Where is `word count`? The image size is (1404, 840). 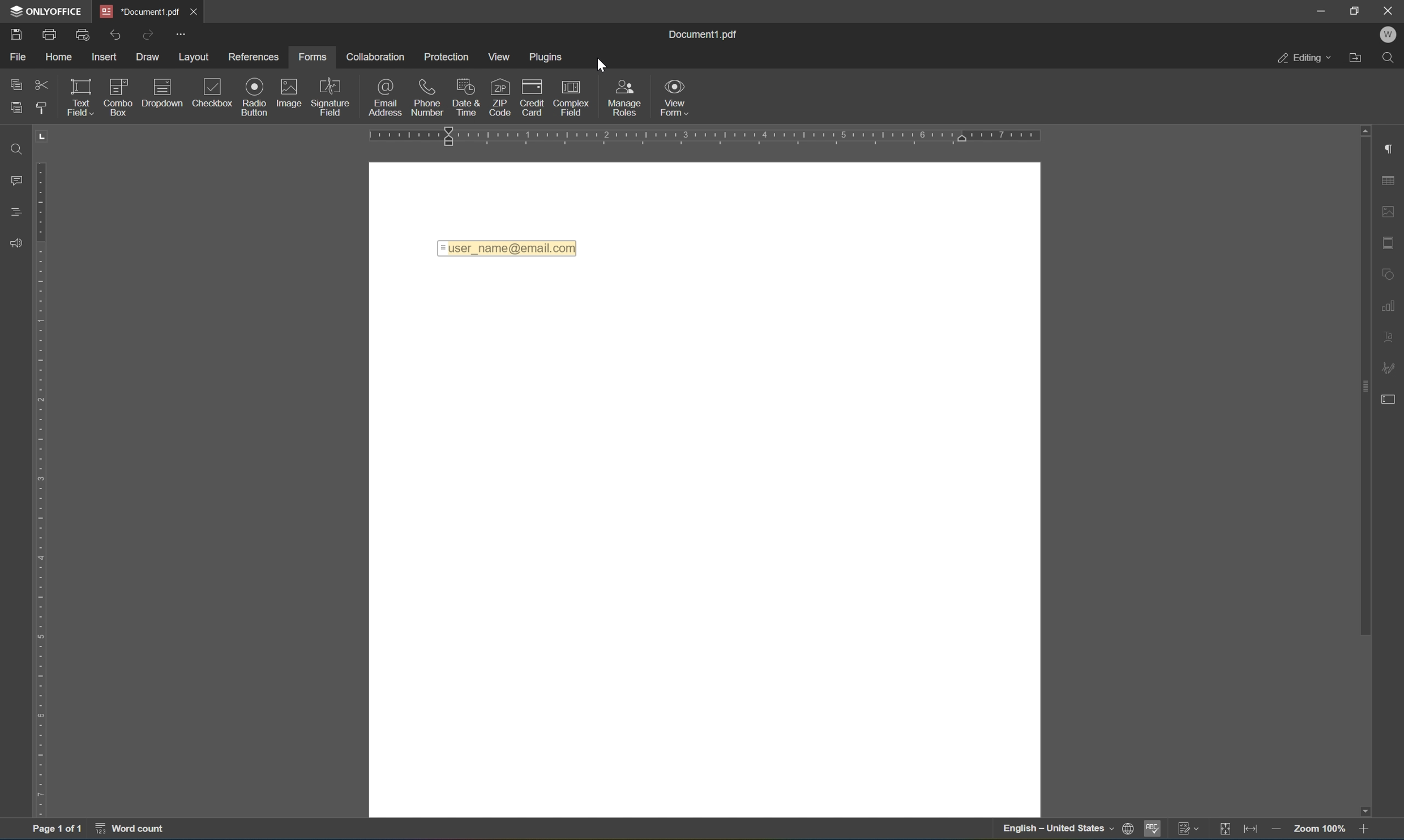 word count is located at coordinates (130, 830).